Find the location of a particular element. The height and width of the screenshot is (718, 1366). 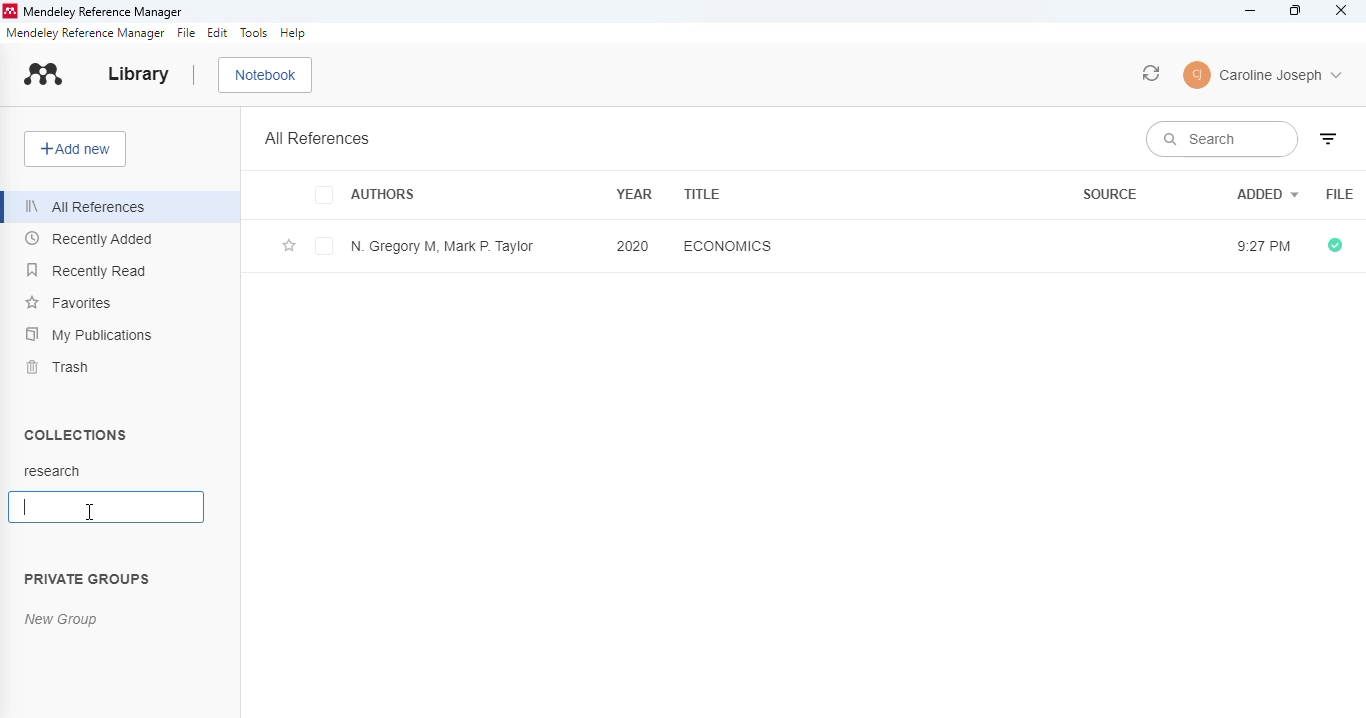

year is located at coordinates (634, 192).